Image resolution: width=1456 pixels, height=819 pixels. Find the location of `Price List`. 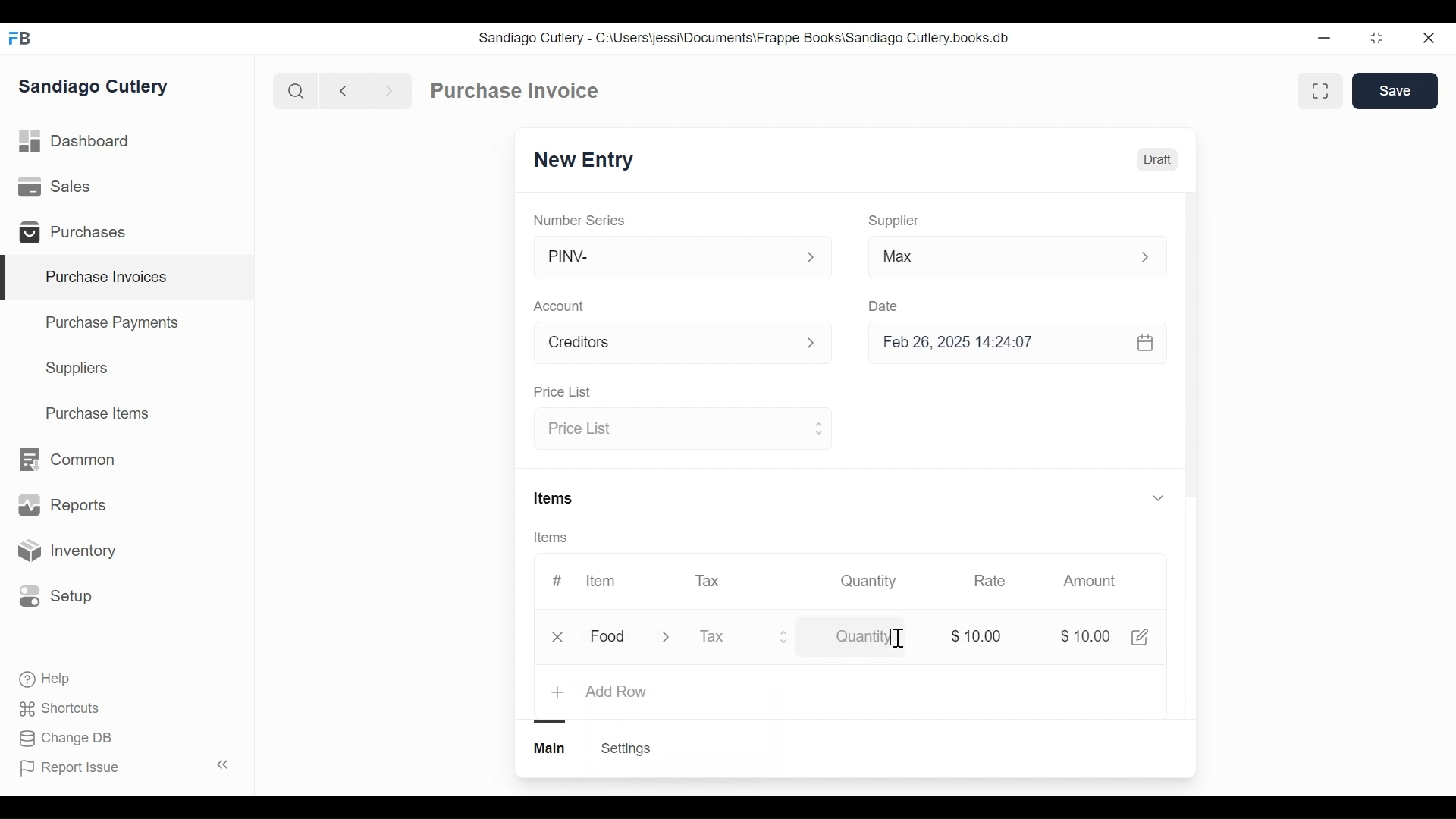

Price List is located at coordinates (669, 430).